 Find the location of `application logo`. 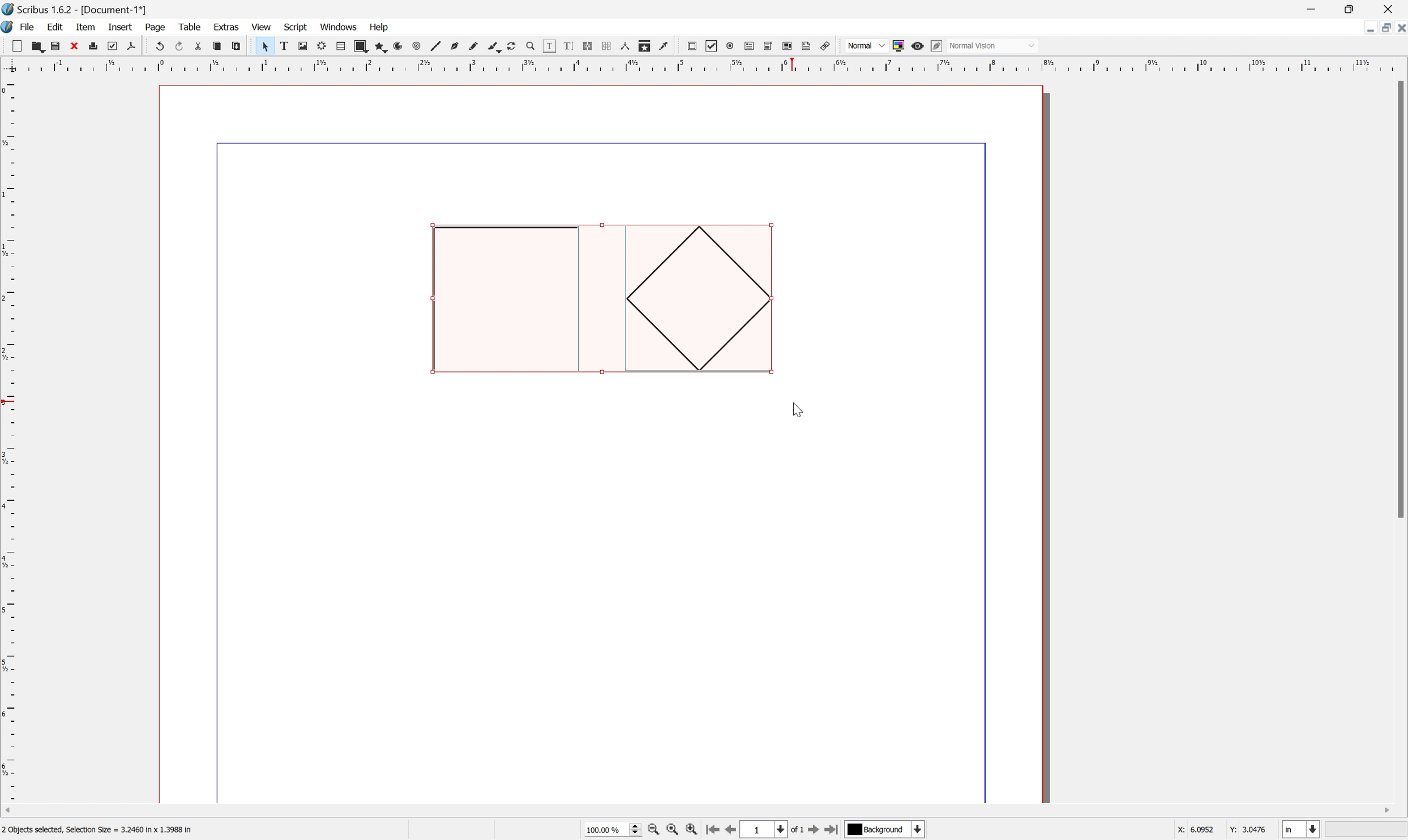

application logo is located at coordinates (9, 26).